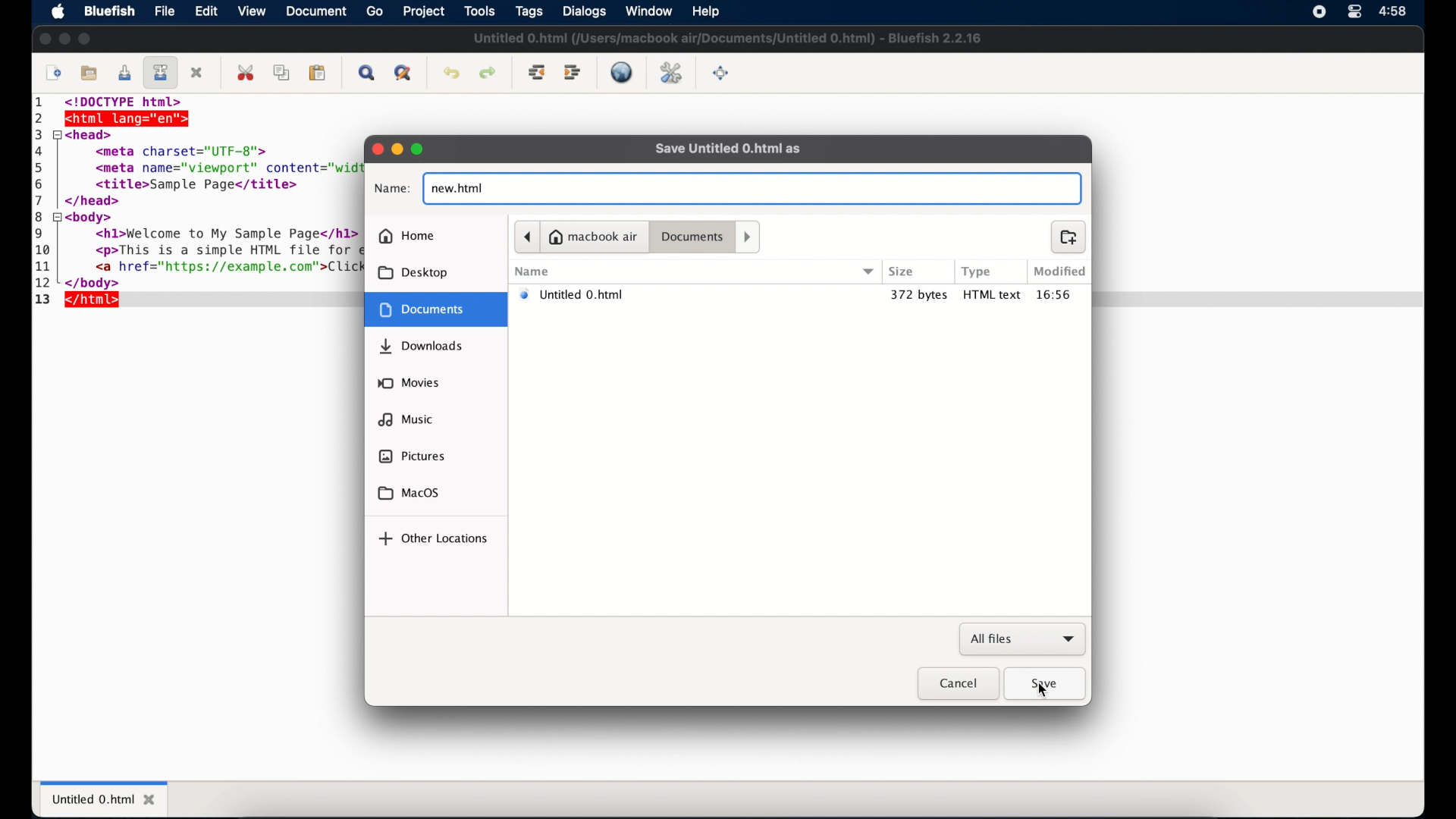 The height and width of the screenshot is (819, 1456). Describe the element at coordinates (58, 12) in the screenshot. I see `apple icon` at that location.